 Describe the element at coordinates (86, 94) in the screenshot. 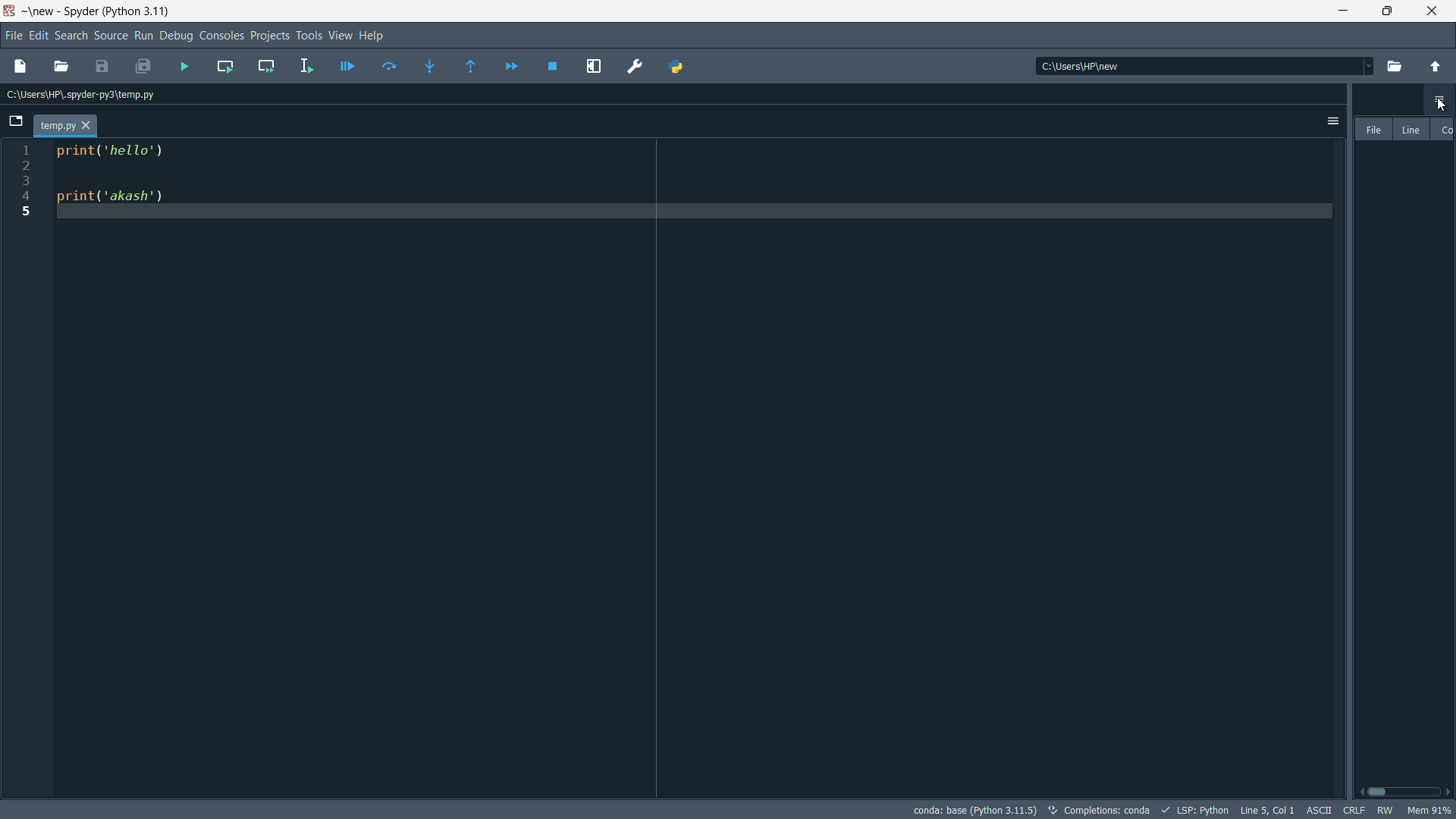

I see `file directory` at that location.